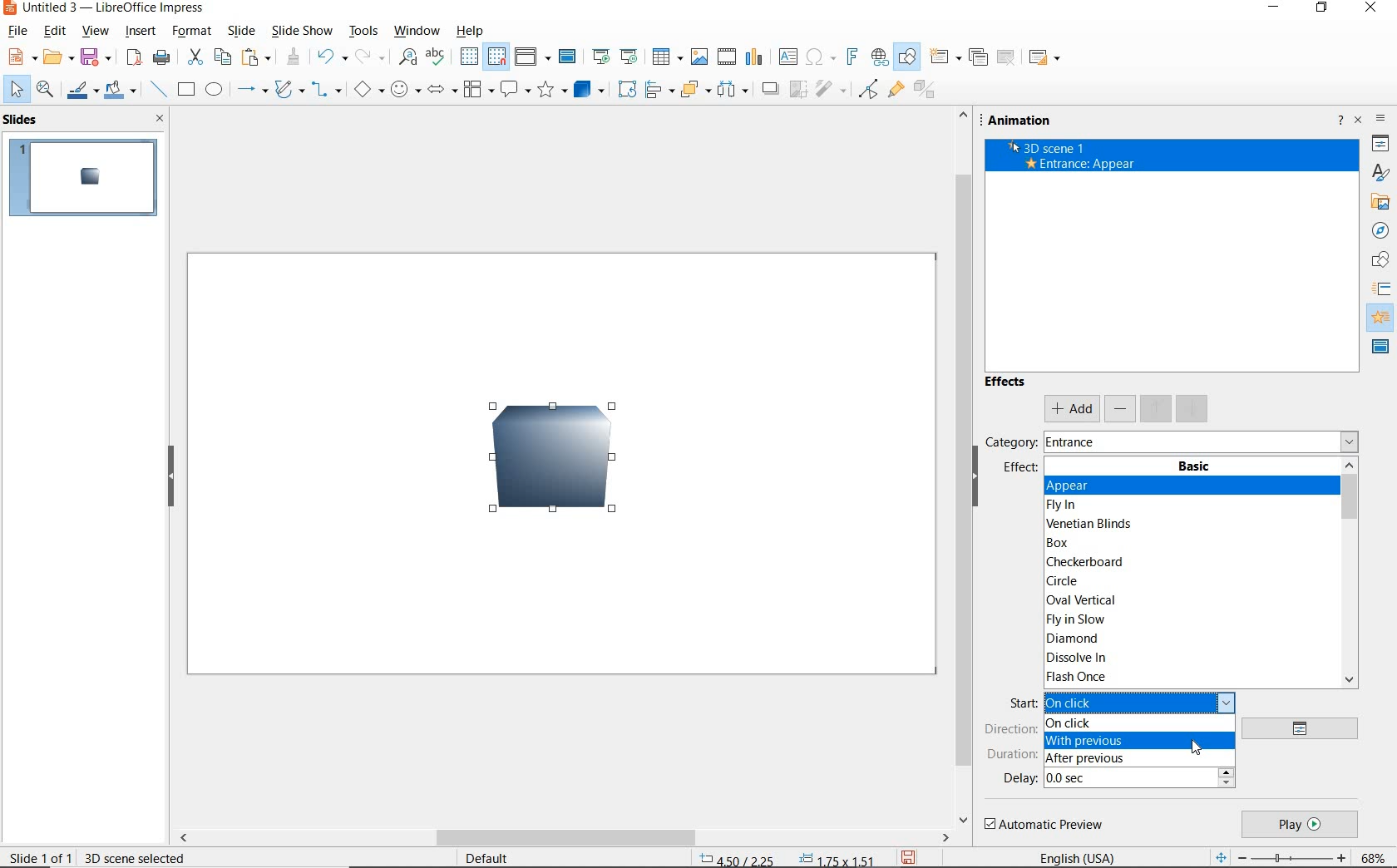  I want to click on 3 objects to distribute, so click(734, 91).